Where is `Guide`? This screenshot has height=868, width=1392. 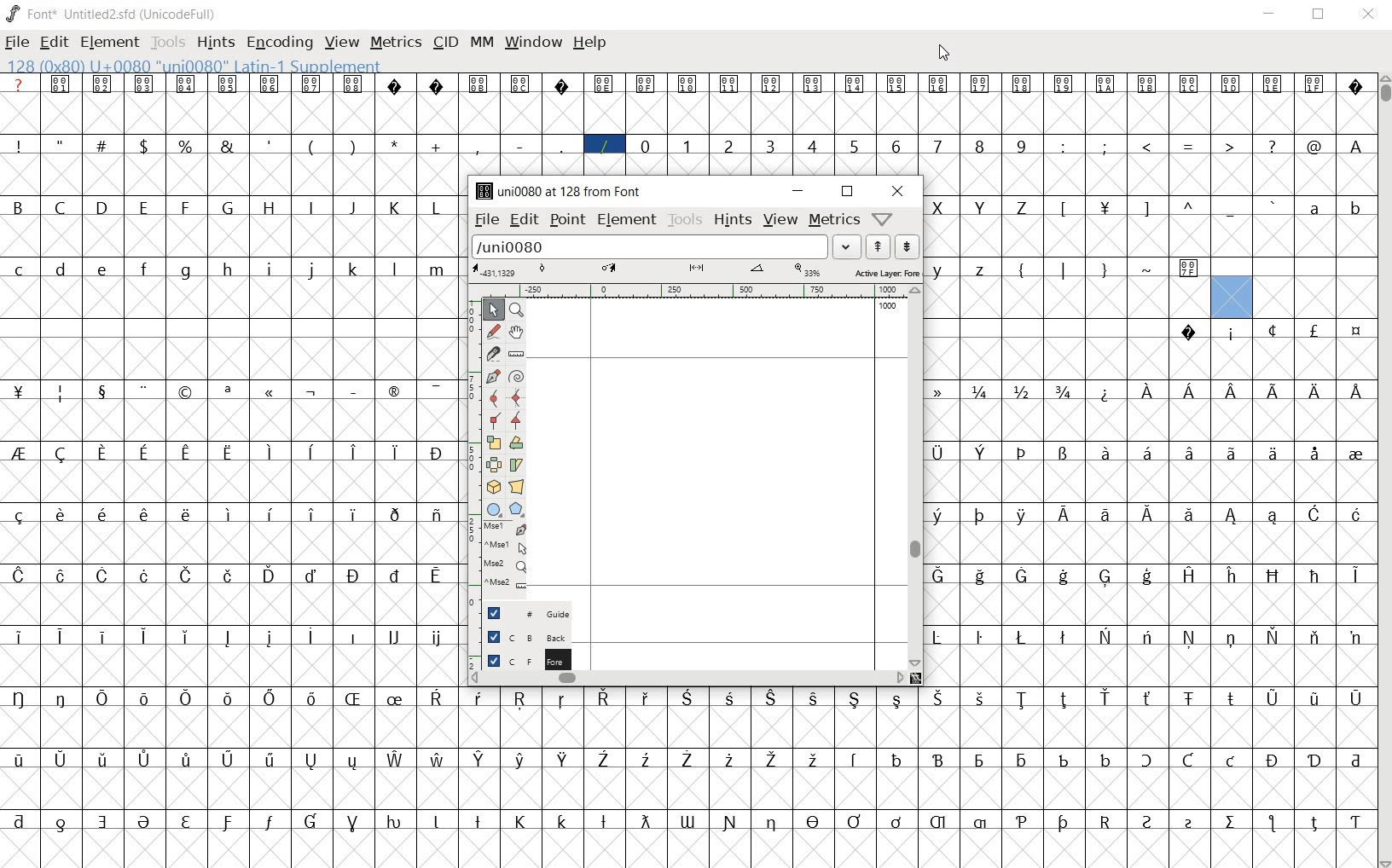
Guide is located at coordinates (520, 612).